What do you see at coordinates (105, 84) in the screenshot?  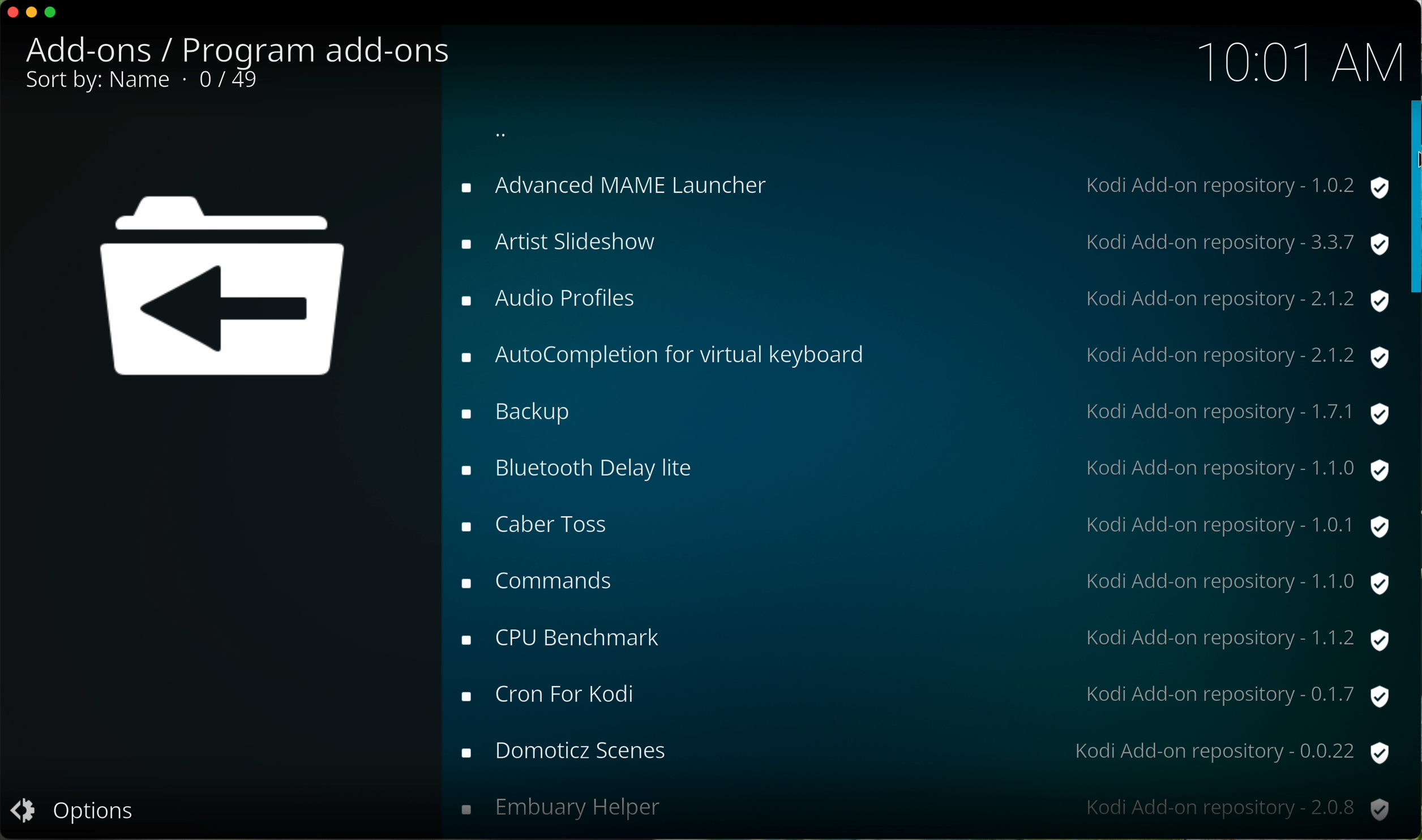 I see `sort by name` at bounding box center [105, 84].